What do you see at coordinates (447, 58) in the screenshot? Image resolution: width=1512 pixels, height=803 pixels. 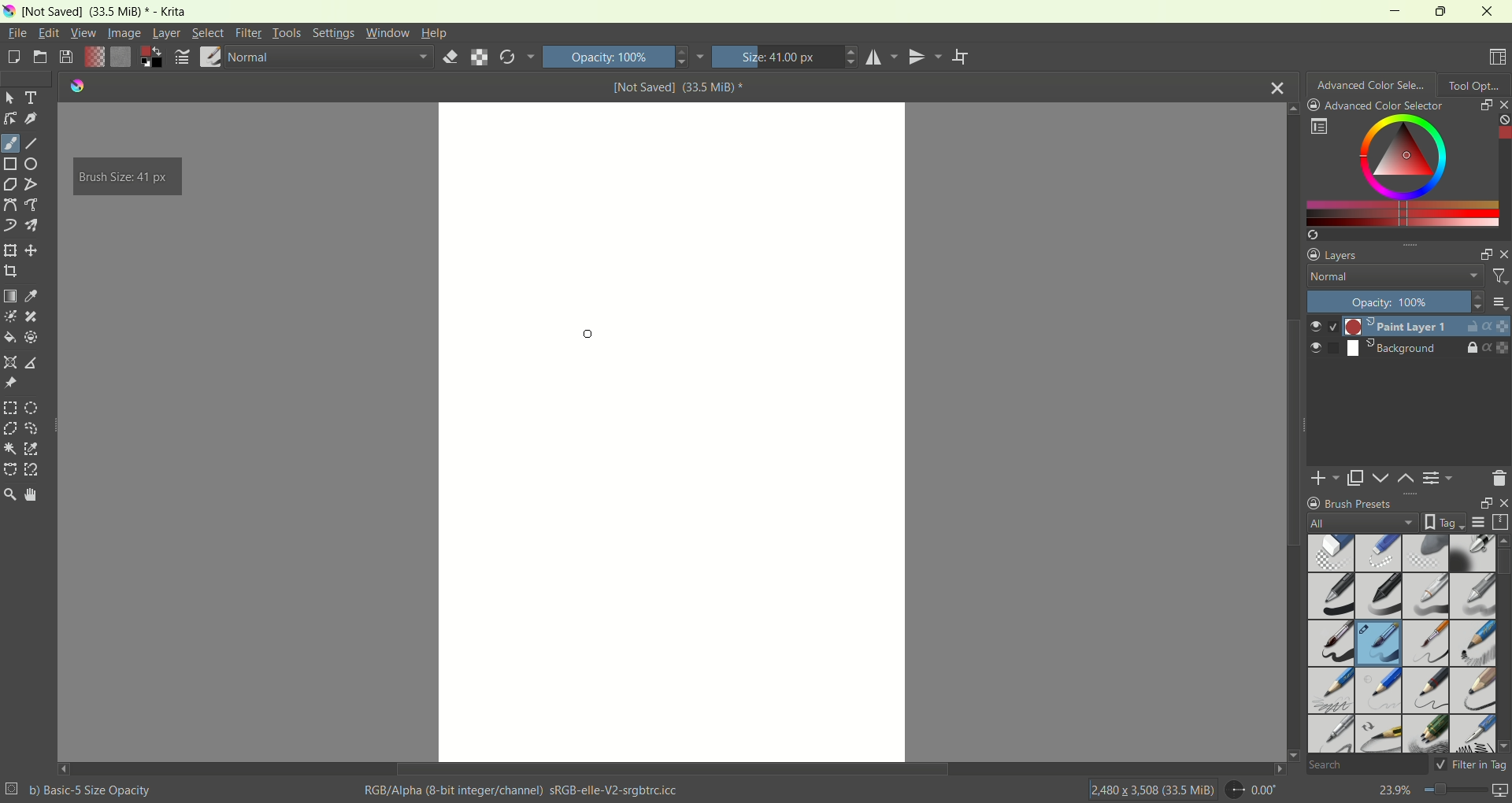 I see `eraser mode` at bounding box center [447, 58].